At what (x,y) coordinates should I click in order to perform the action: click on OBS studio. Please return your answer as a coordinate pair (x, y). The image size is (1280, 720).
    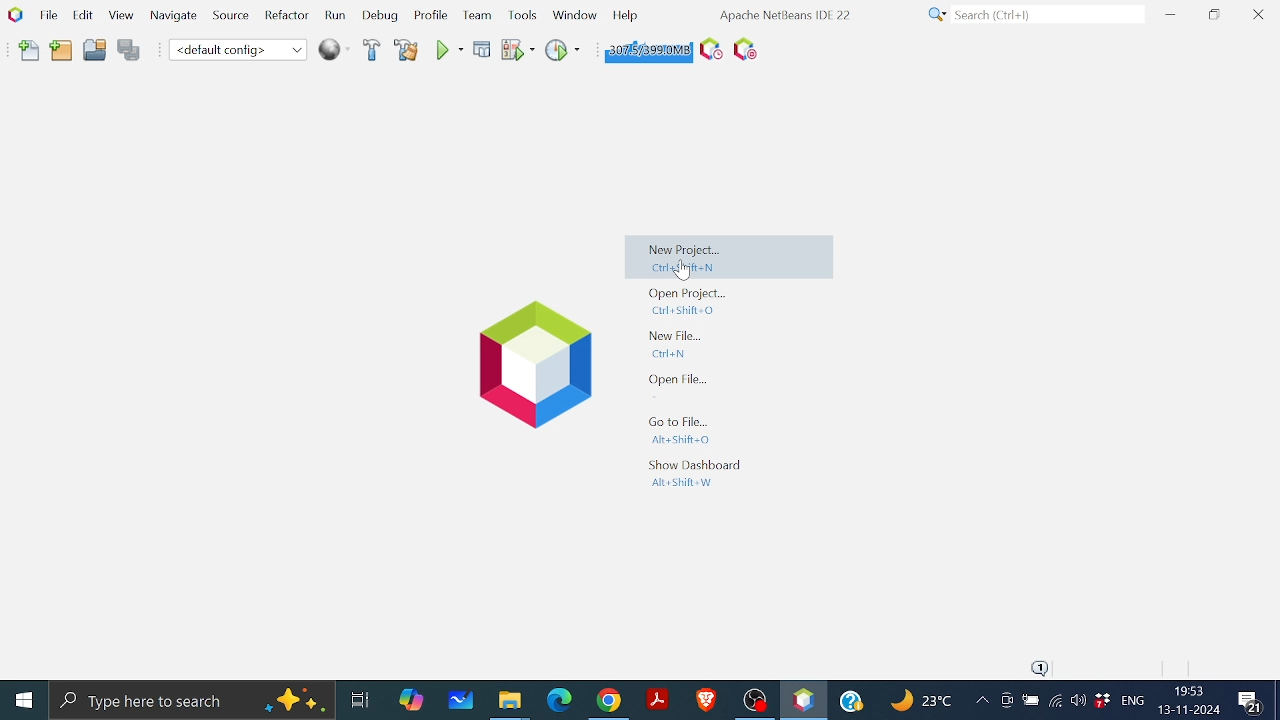
    Looking at the image, I should click on (754, 699).